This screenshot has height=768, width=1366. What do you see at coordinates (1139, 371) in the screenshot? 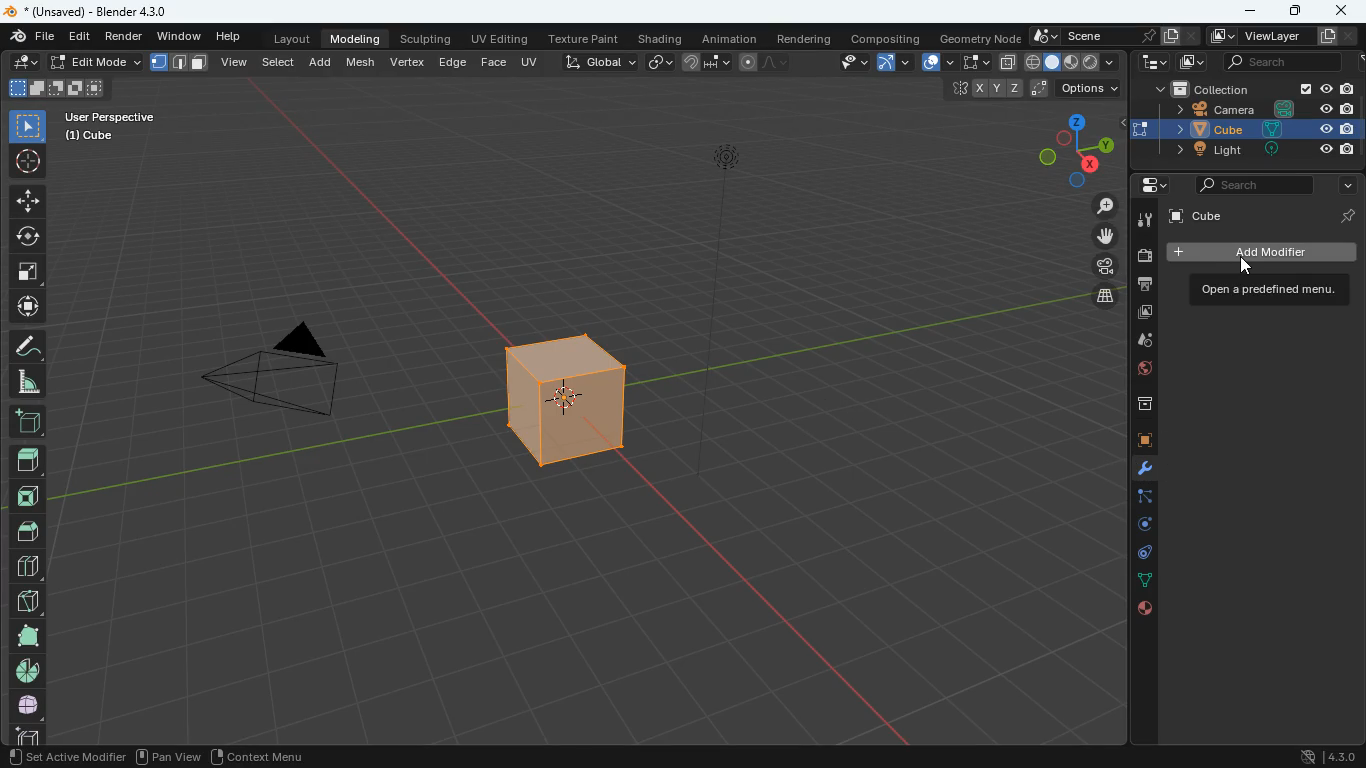
I see `world` at bounding box center [1139, 371].